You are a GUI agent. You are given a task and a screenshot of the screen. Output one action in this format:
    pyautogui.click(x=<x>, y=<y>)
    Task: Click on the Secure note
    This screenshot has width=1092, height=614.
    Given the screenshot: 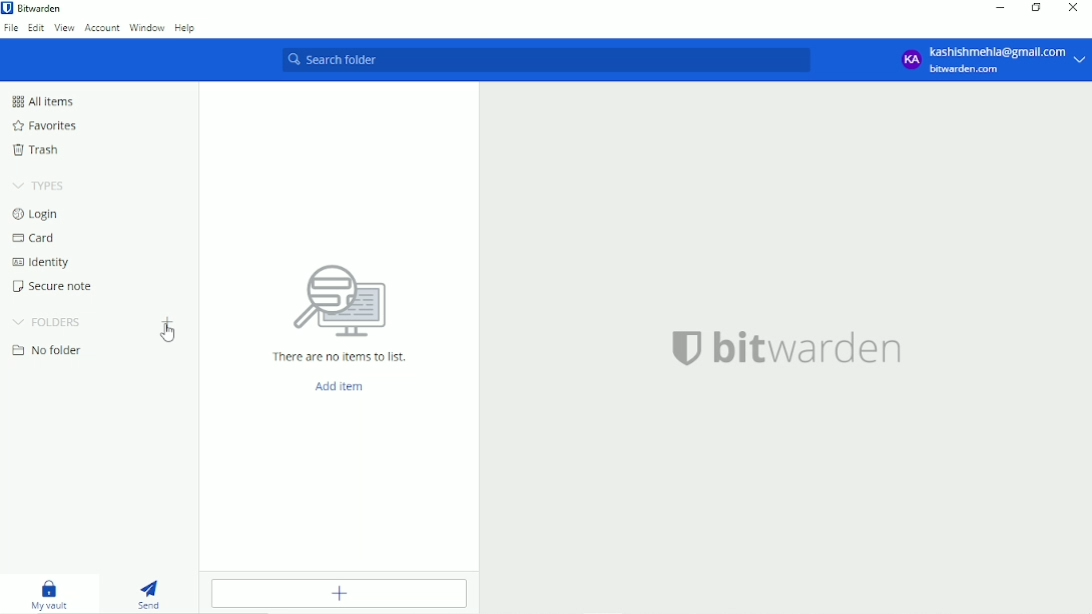 What is the action you would take?
    pyautogui.click(x=51, y=287)
    